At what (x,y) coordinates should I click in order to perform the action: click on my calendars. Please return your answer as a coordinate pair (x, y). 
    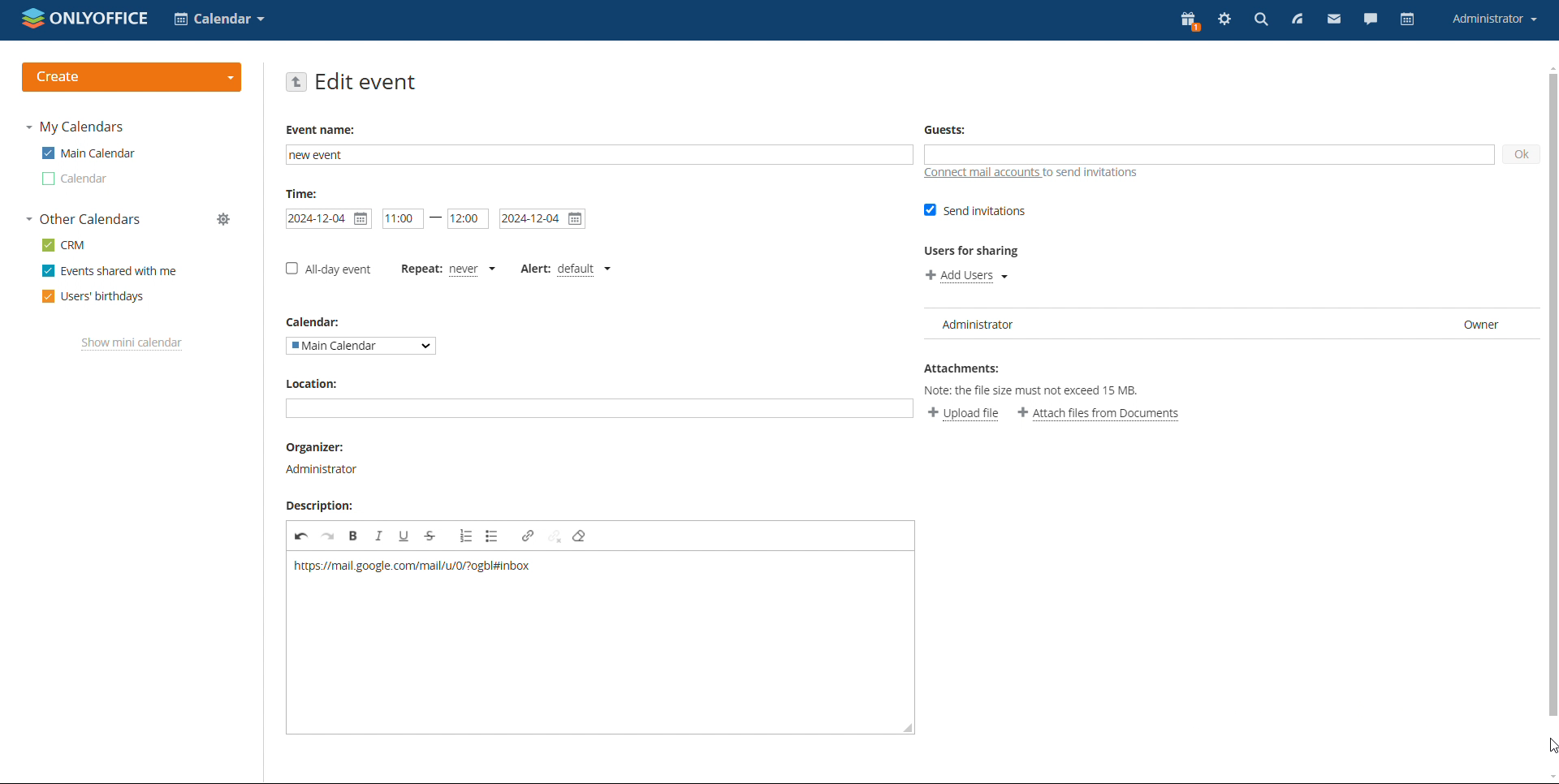
    Looking at the image, I should click on (76, 127).